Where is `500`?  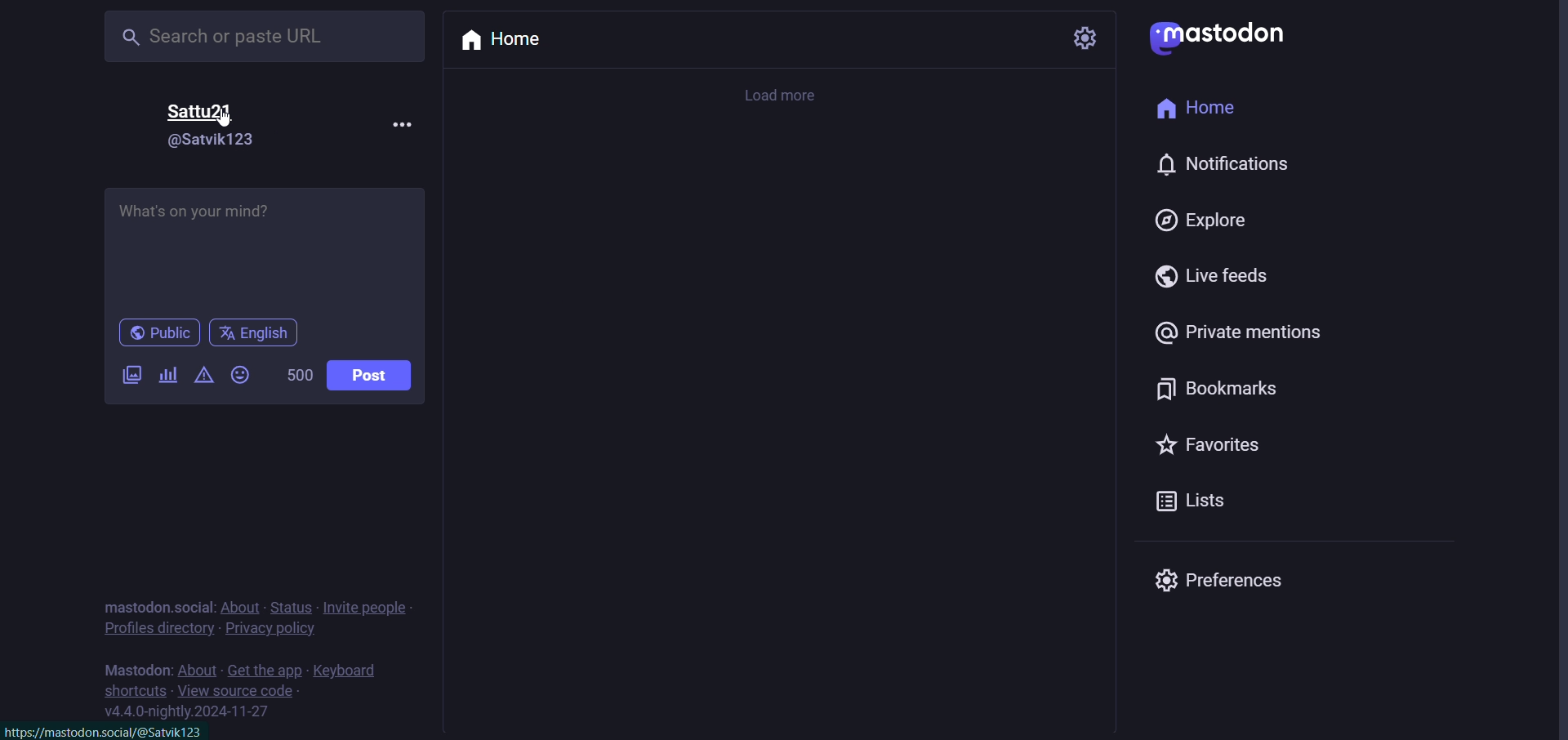
500 is located at coordinates (296, 376).